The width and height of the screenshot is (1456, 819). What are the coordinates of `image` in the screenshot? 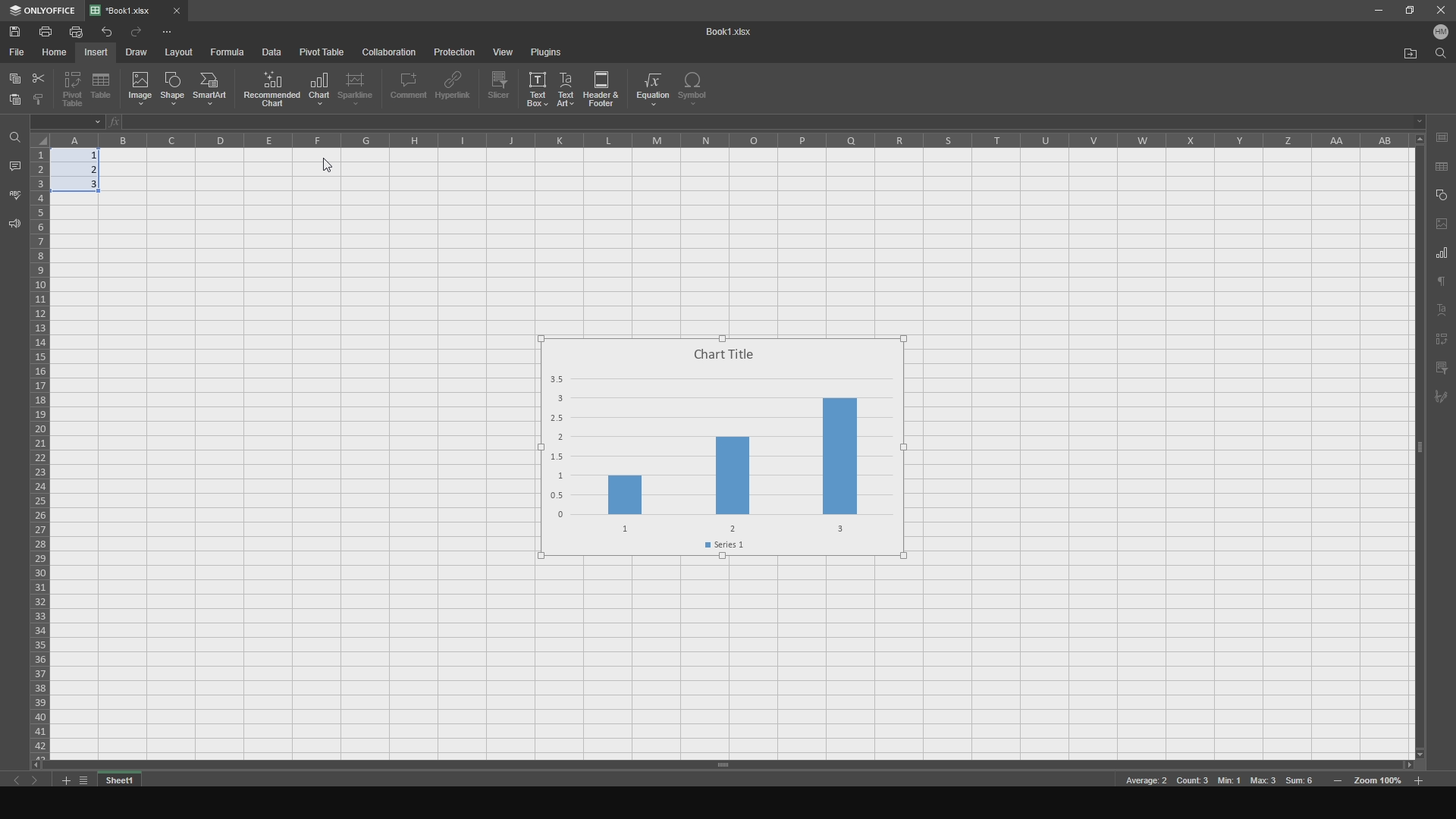 It's located at (137, 90).